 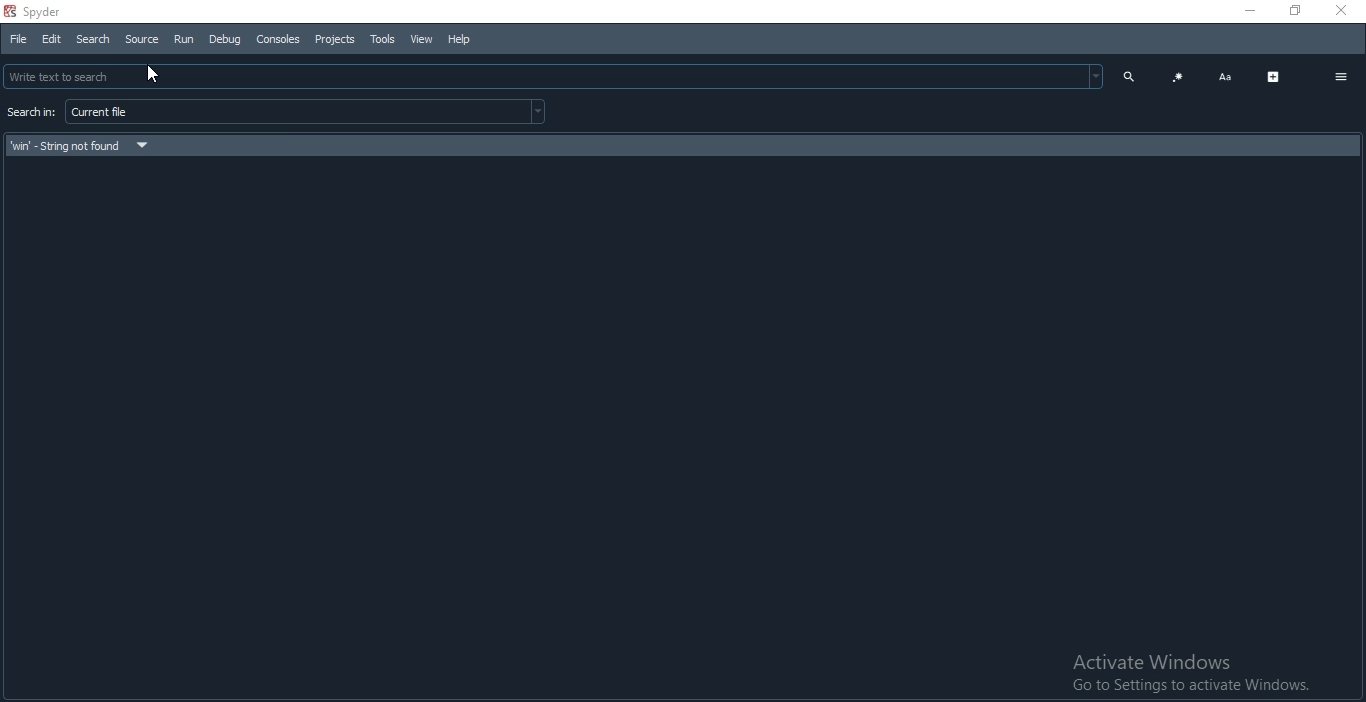 What do you see at coordinates (278, 39) in the screenshot?
I see `Consoles` at bounding box center [278, 39].